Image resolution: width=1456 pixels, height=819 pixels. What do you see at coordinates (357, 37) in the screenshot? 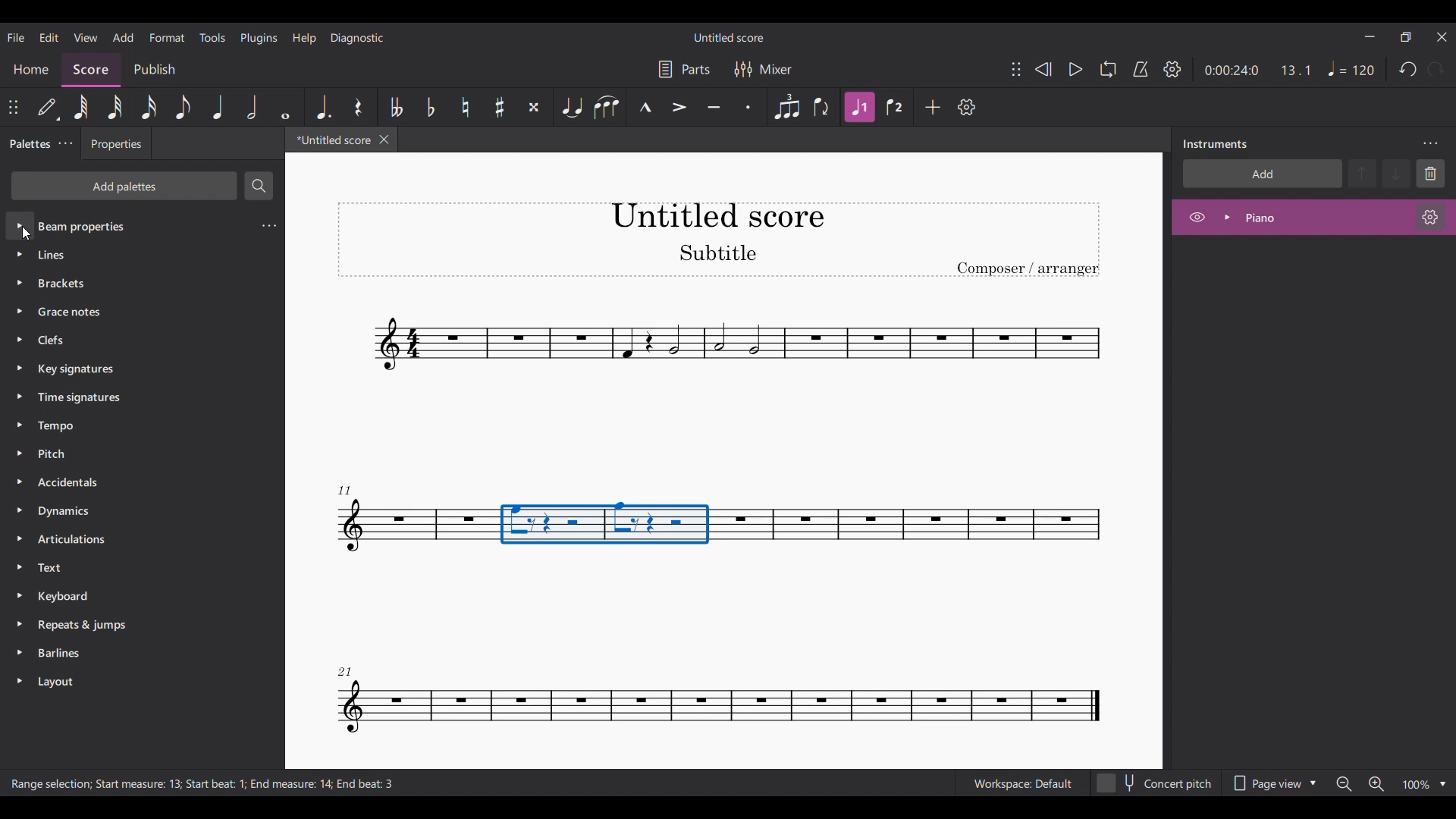
I see `Diagnostic menu` at bounding box center [357, 37].